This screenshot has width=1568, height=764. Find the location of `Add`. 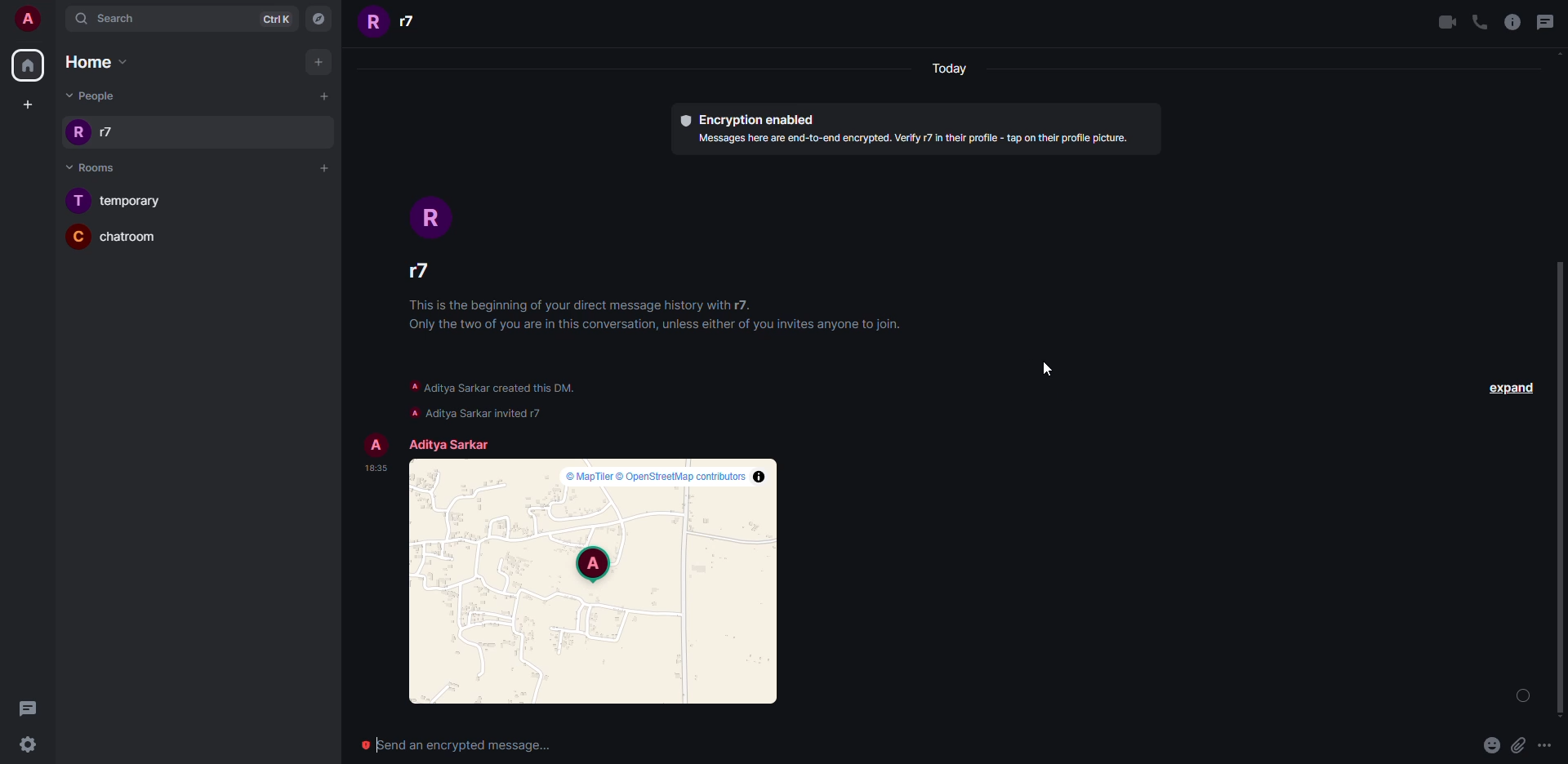

Add is located at coordinates (319, 60).